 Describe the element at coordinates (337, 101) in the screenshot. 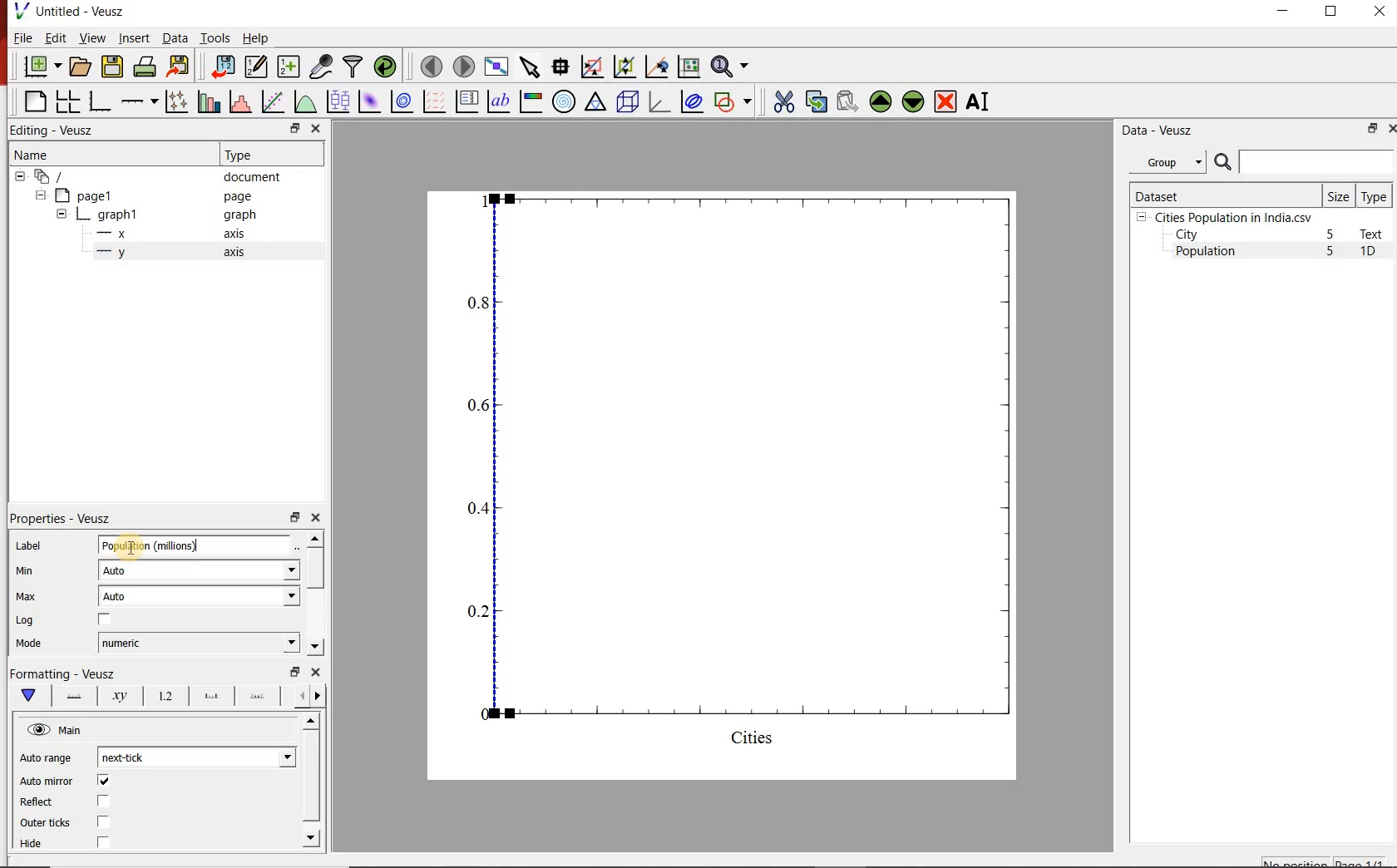

I see `plot box plots` at that location.